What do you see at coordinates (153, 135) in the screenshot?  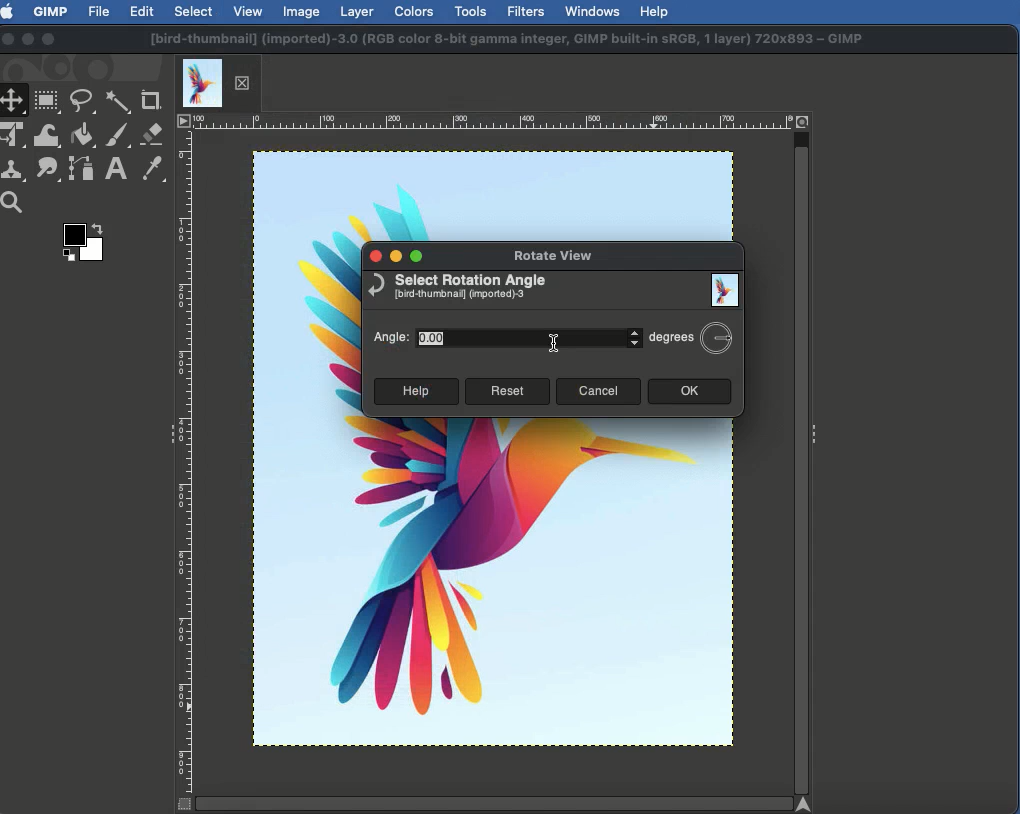 I see `Eraser` at bounding box center [153, 135].